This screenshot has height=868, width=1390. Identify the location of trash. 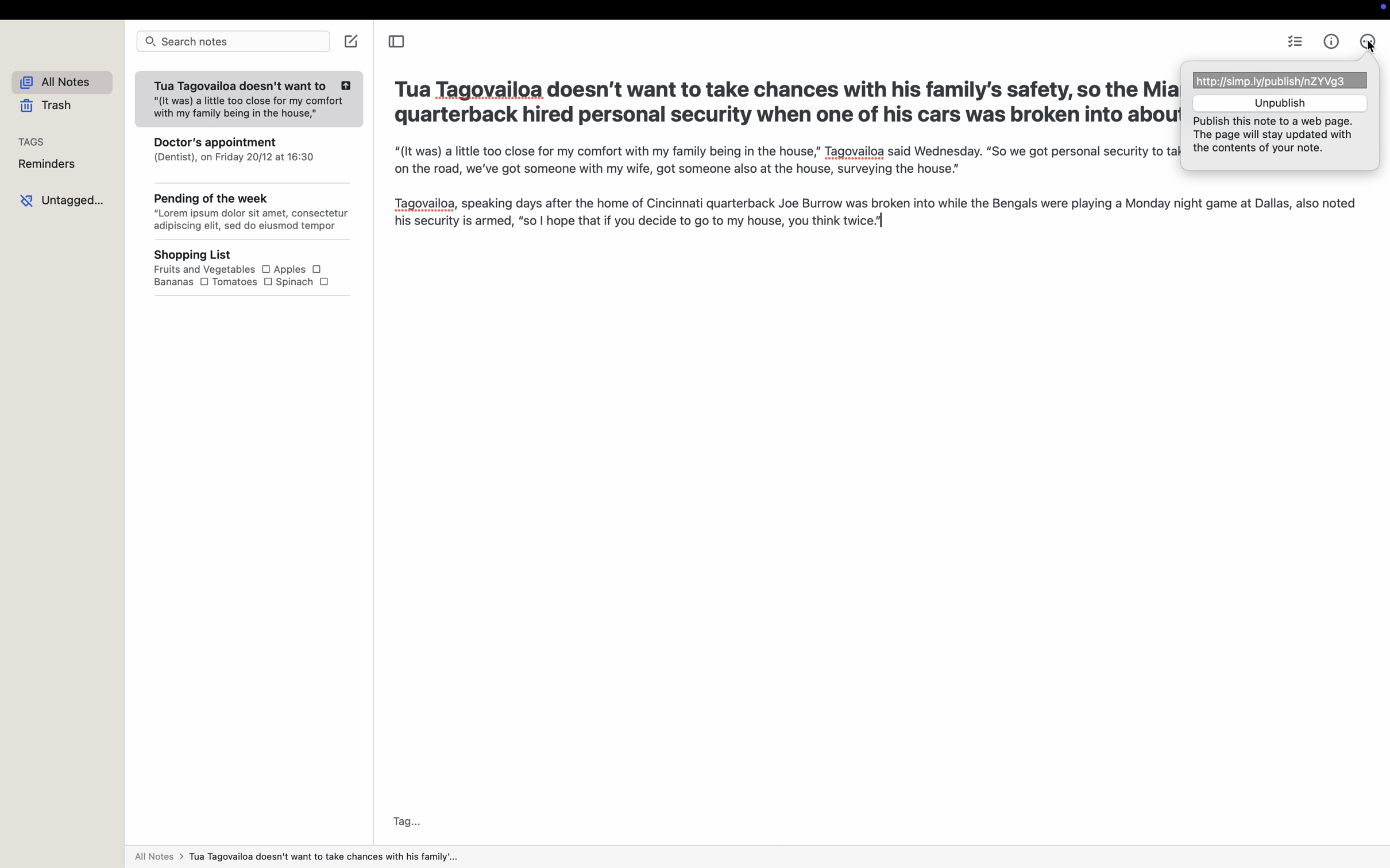
(49, 107).